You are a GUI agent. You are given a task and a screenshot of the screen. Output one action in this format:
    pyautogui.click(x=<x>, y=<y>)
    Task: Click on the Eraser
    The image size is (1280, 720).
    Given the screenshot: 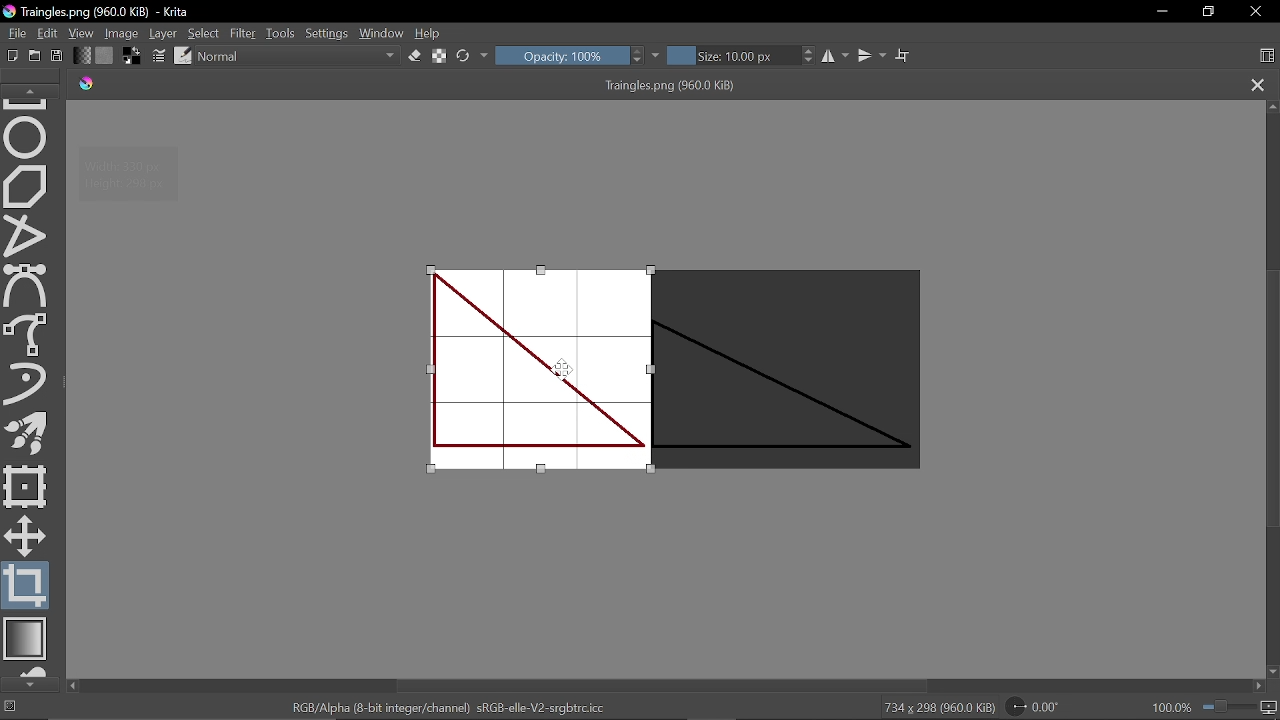 What is the action you would take?
    pyautogui.click(x=414, y=56)
    